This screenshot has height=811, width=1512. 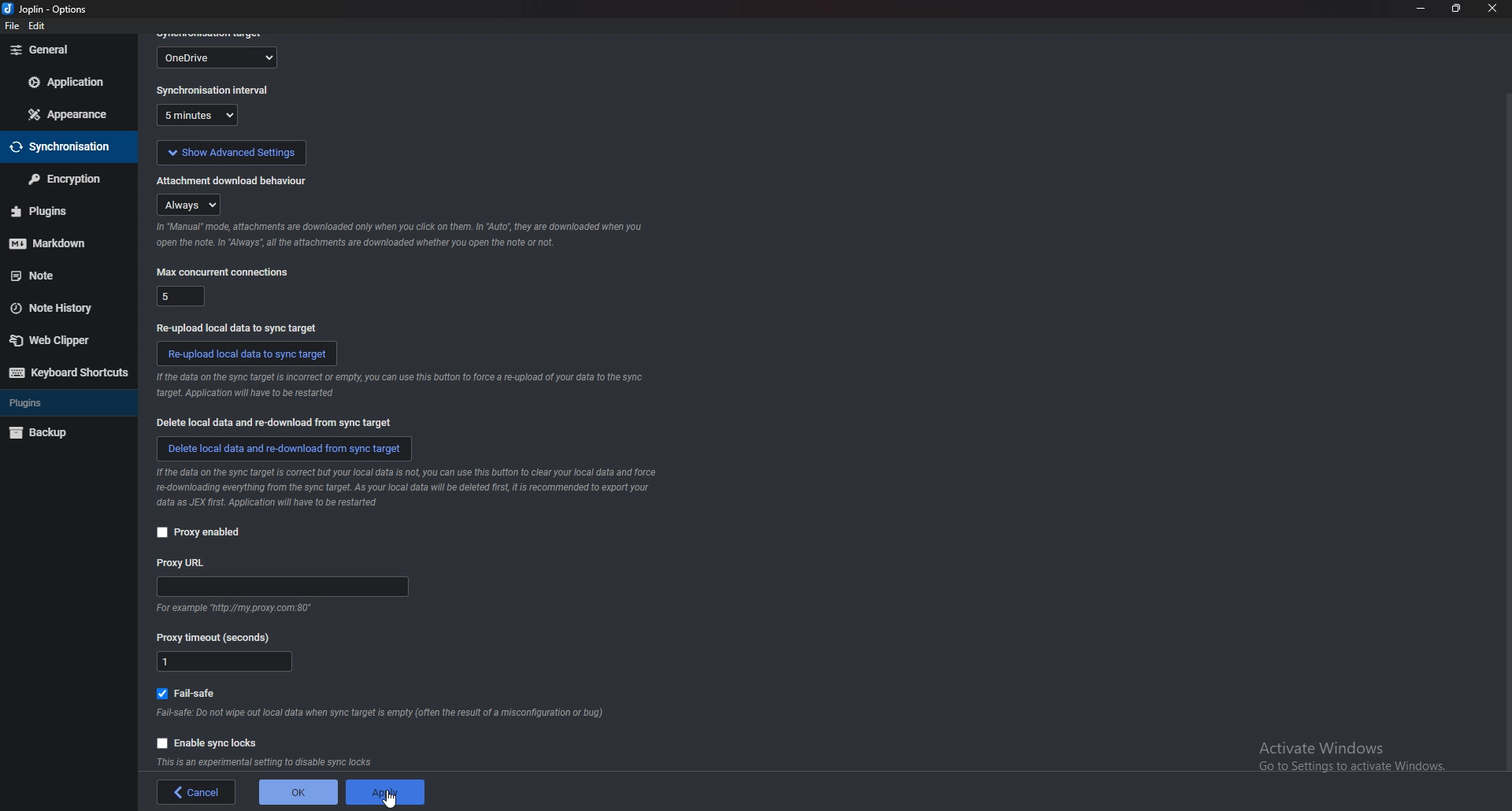 I want to click on backup, so click(x=58, y=434).